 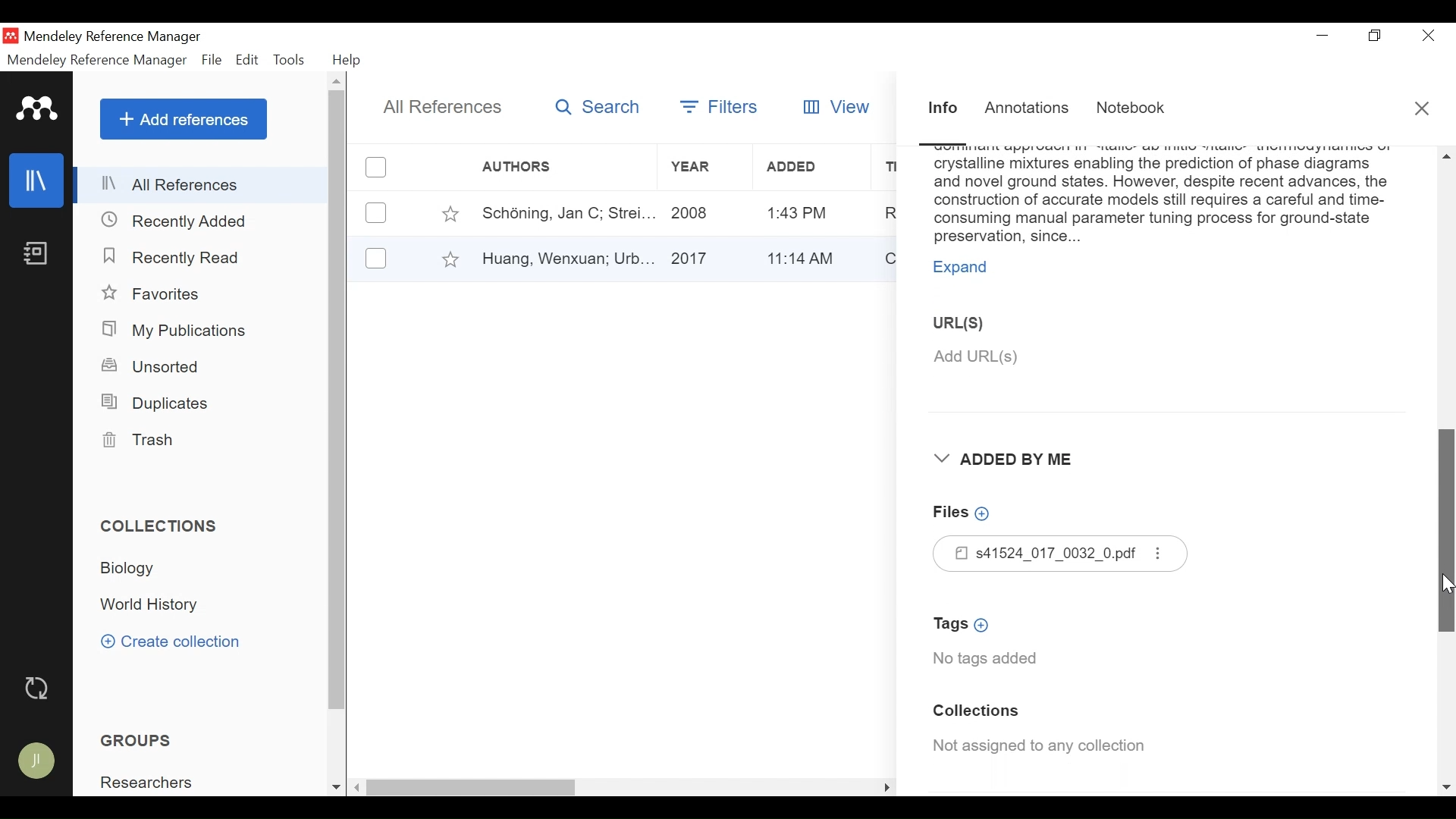 What do you see at coordinates (136, 440) in the screenshot?
I see `Trash` at bounding box center [136, 440].